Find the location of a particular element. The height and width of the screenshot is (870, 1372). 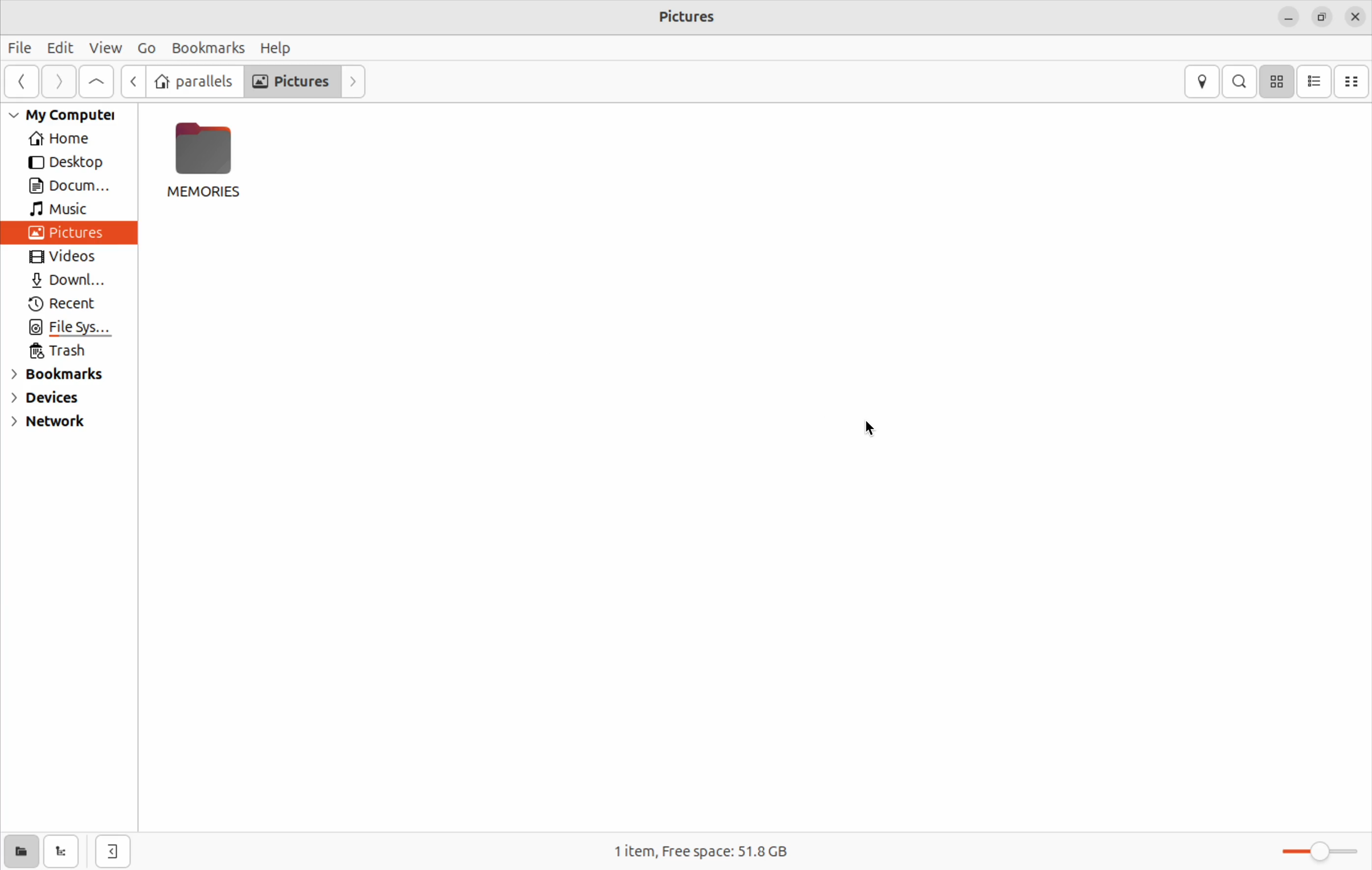

forward is located at coordinates (357, 82).